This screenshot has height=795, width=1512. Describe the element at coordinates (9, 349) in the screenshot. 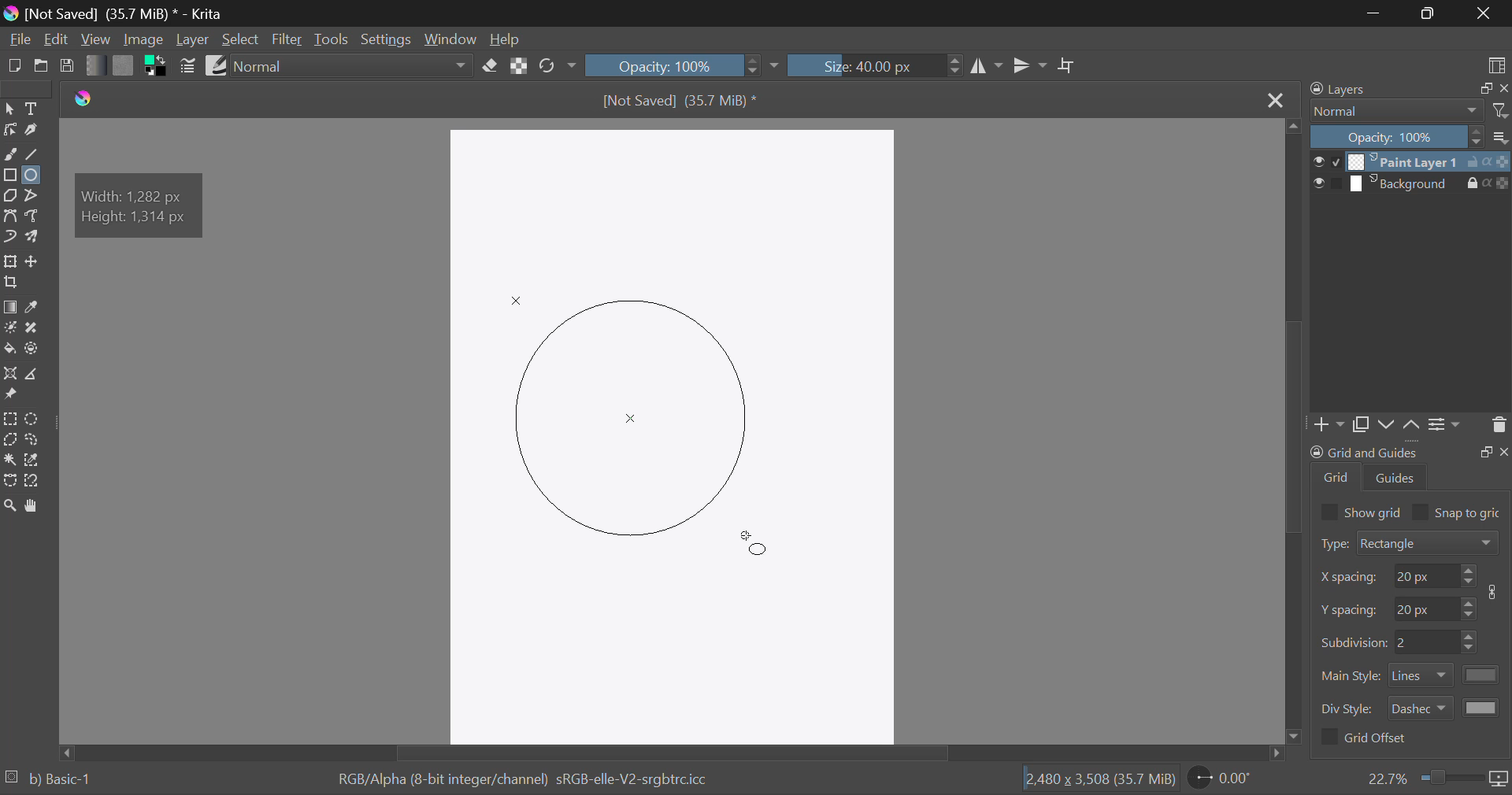

I see `Fill` at that location.